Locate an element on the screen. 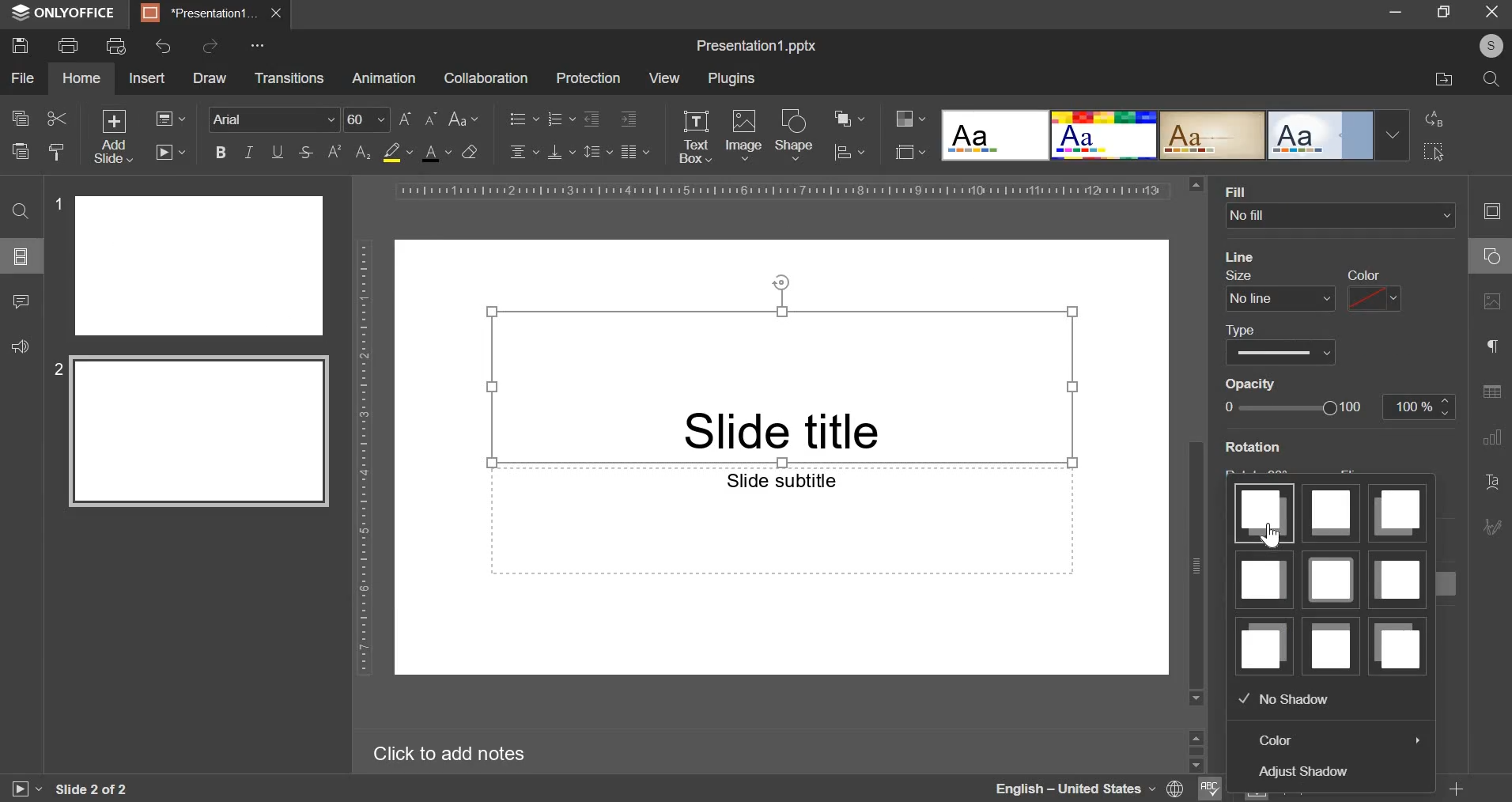 This screenshot has height=802, width=1512. tab 1 is located at coordinates (201, 13).